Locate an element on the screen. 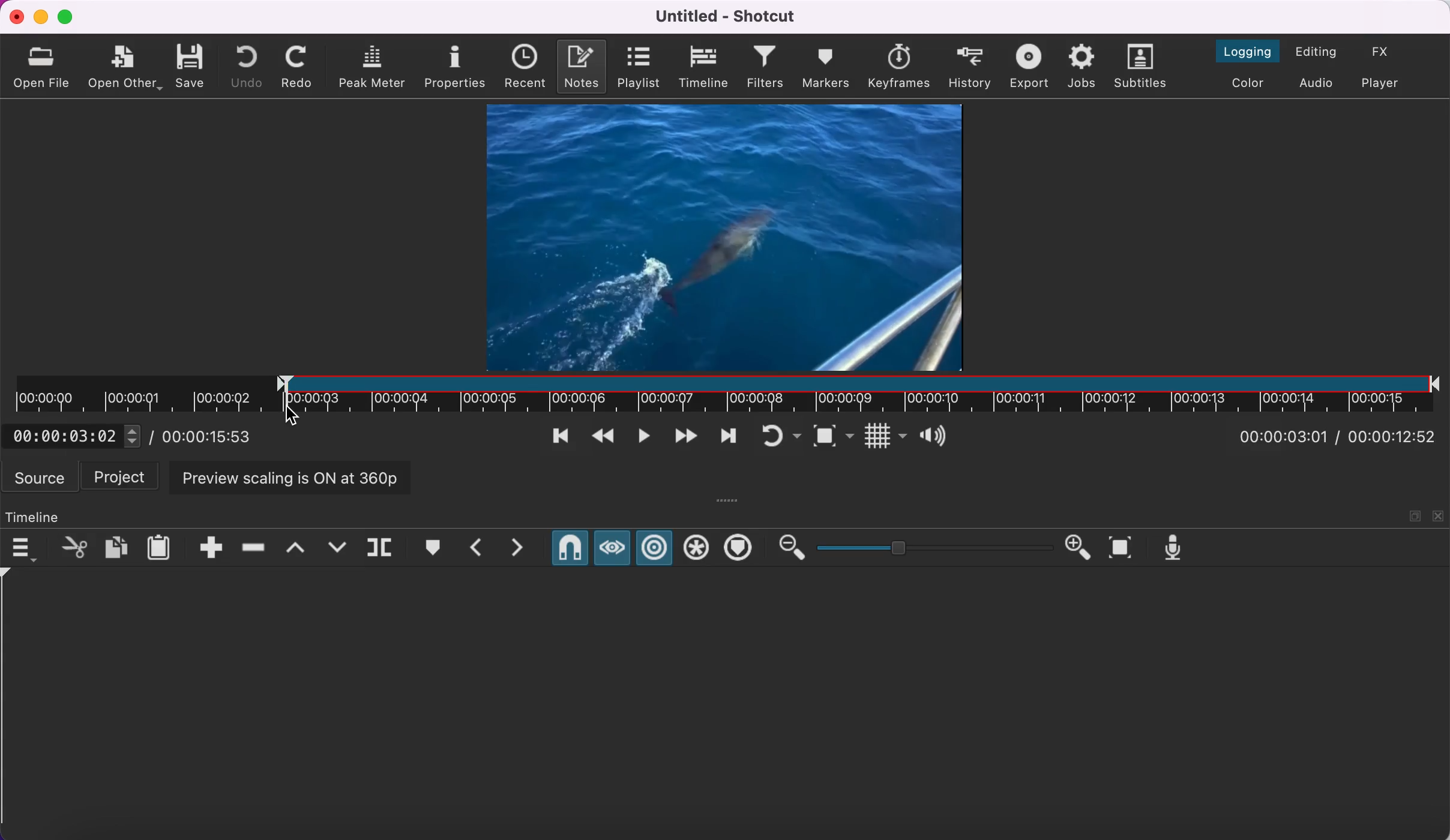  markers is located at coordinates (826, 68).